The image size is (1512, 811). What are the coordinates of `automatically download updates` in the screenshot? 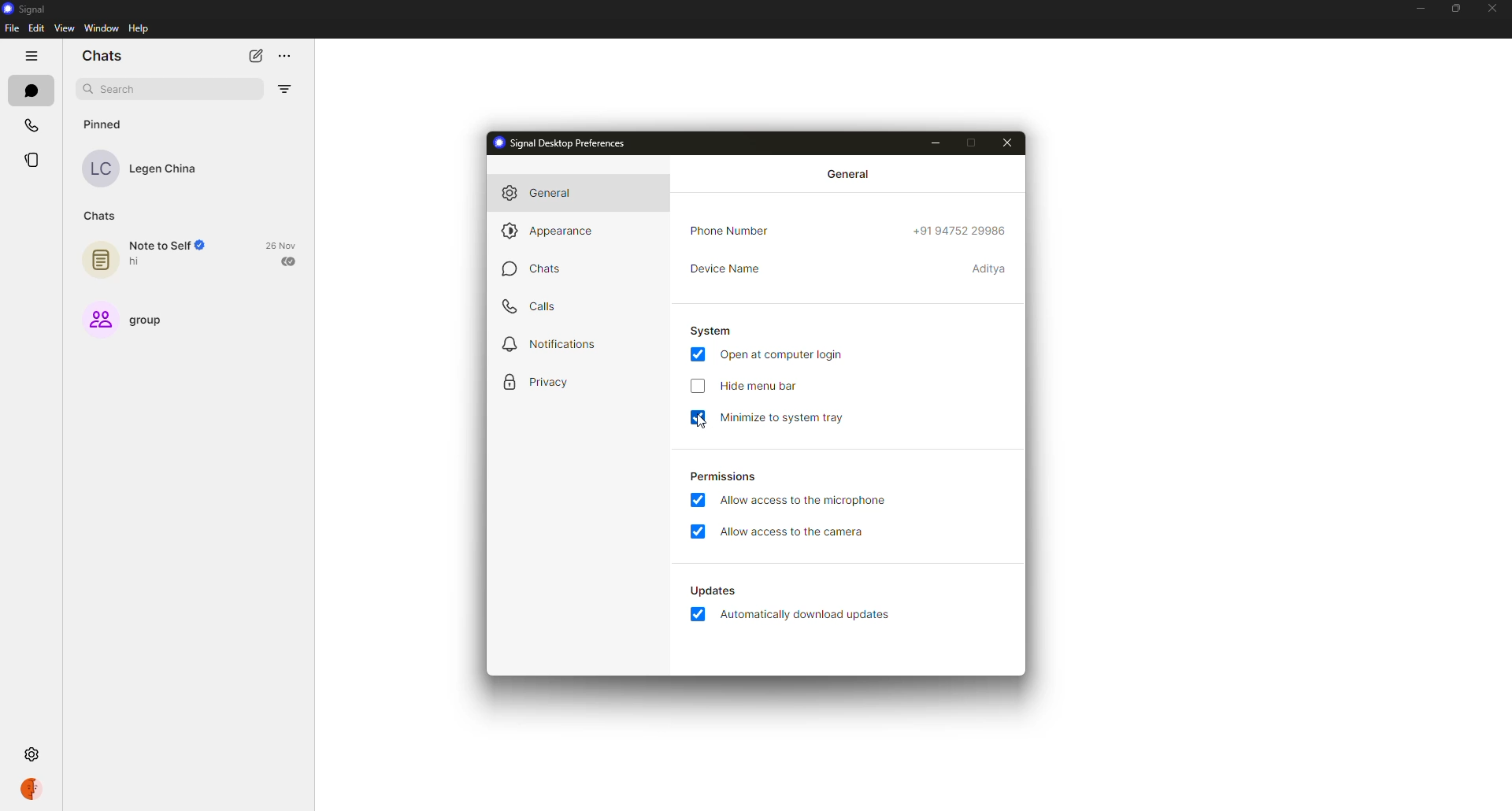 It's located at (810, 617).